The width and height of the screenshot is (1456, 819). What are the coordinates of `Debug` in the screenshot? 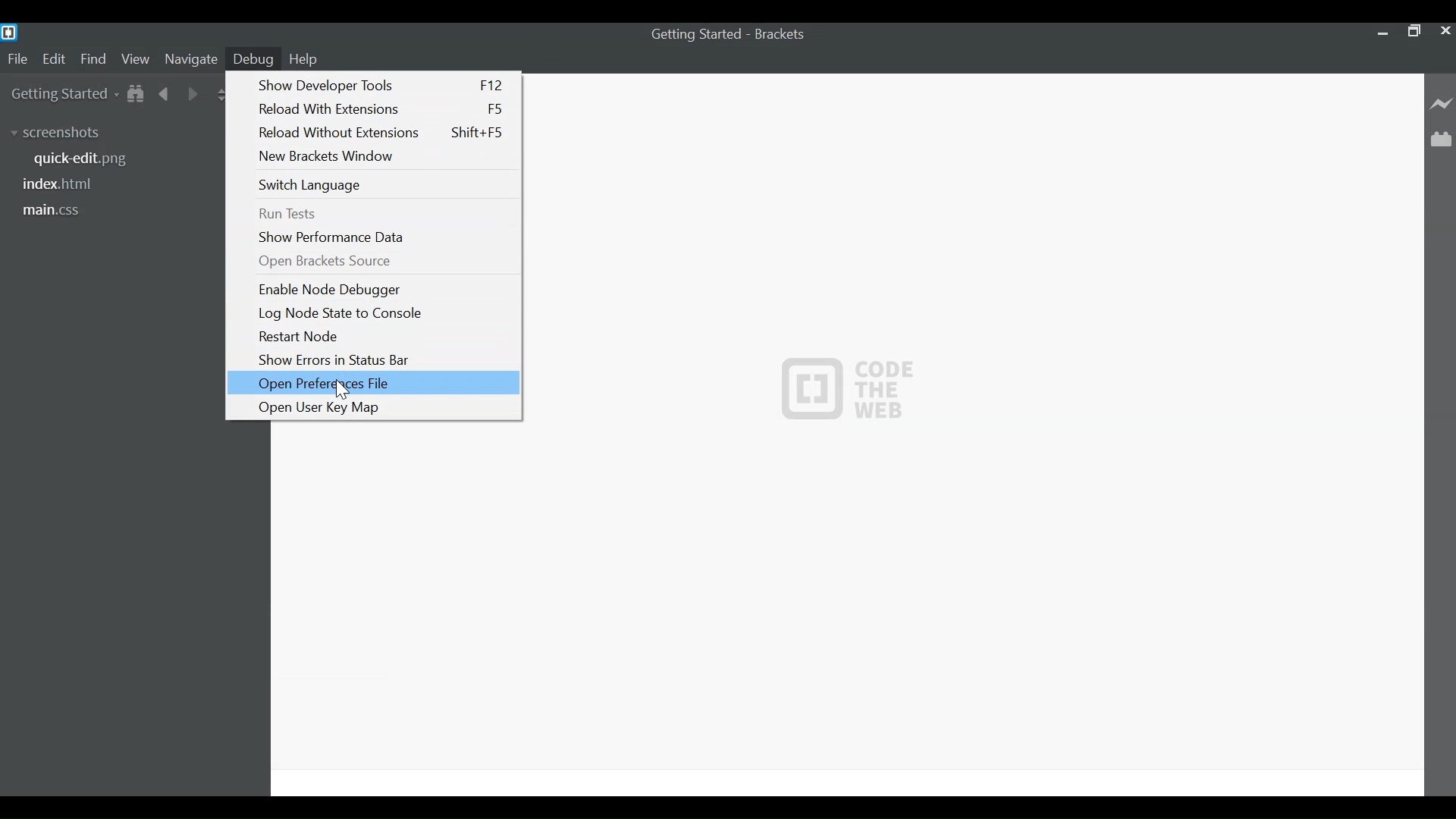 It's located at (252, 59).